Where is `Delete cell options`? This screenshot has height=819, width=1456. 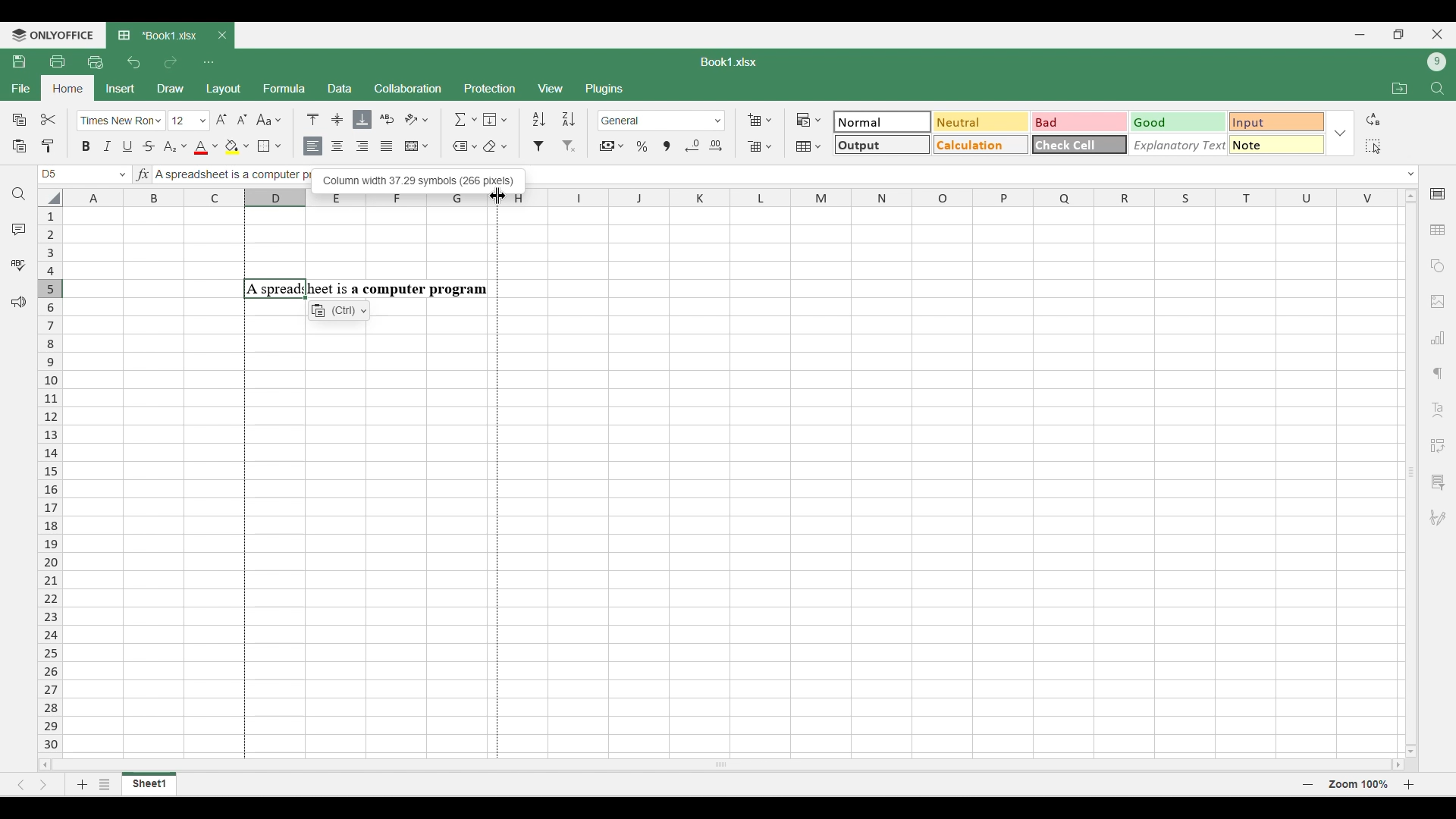
Delete cell options is located at coordinates (759, 146).